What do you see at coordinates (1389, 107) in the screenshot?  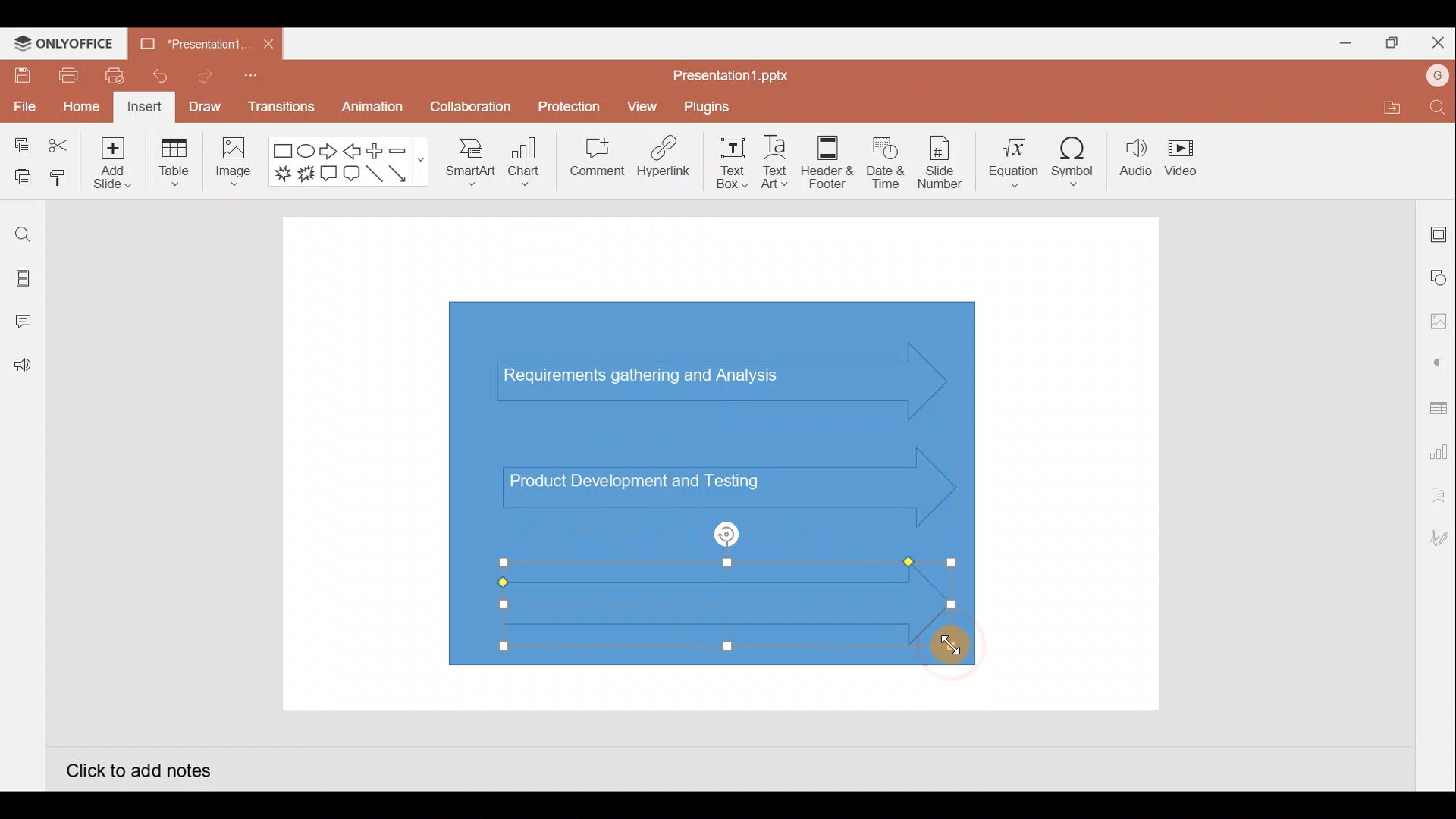 I see `Open file location` at bounding box center [1389, 107].